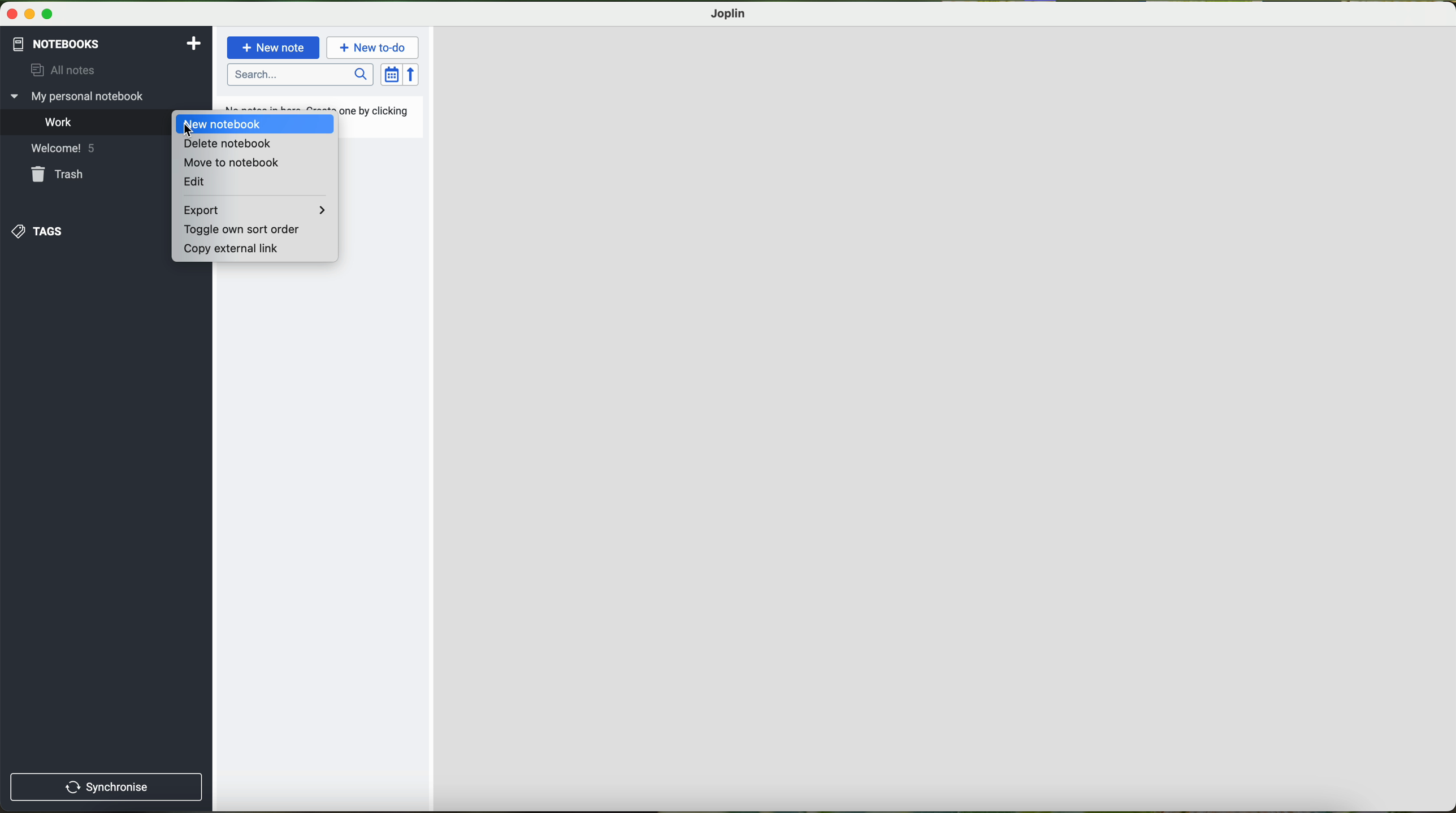 The width and height of the screenshot is (1456, 813). What do you see at coordinates (60, 174) in the screenshot?
I see `trash` at bounding box center [60, 174].